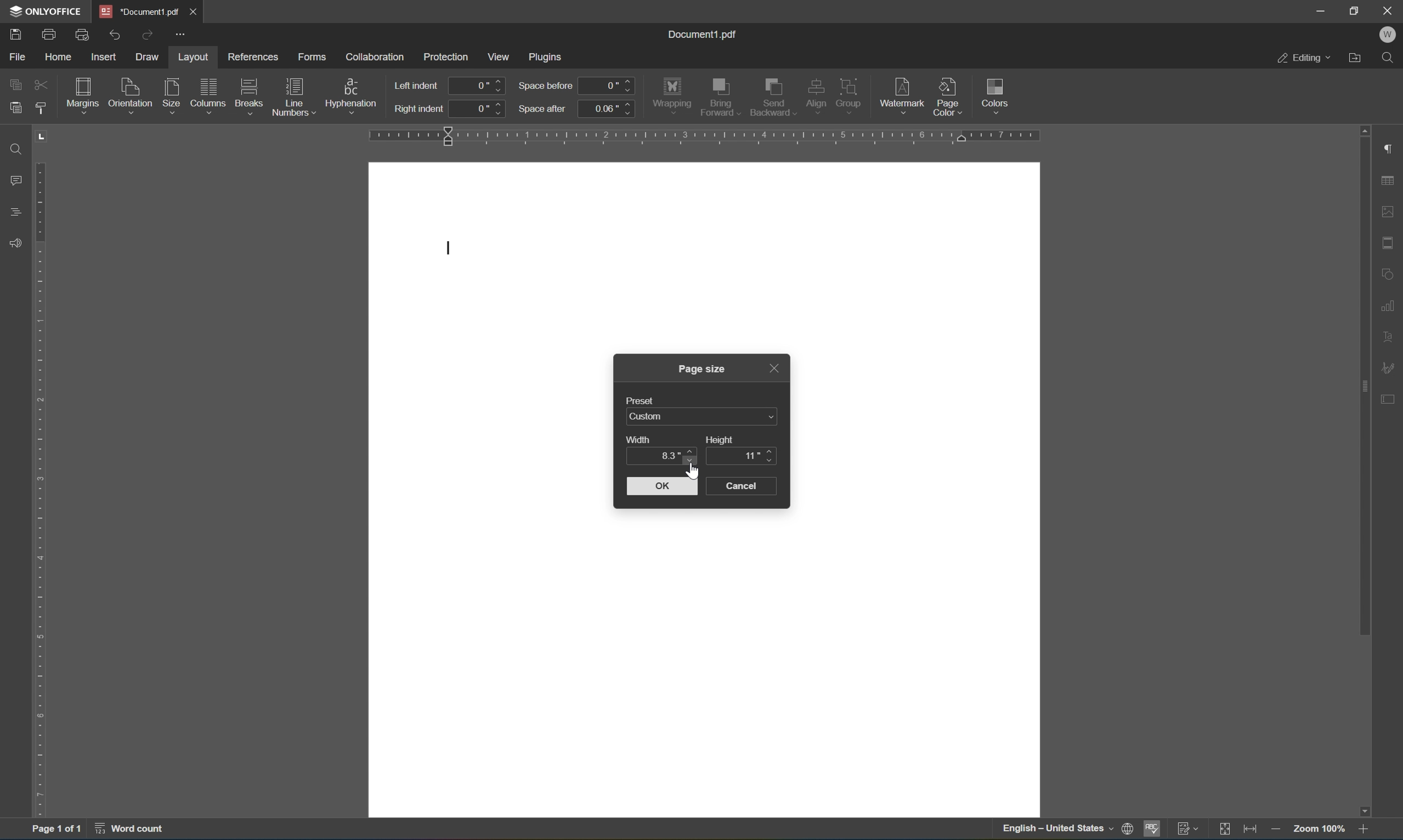 Image resolution: width=1403 pixels, height=840 pixels. What do you see at coordinates (58, 831) in the screenshot?
I see `page 1 of 1` at bounding box center [58, 831].